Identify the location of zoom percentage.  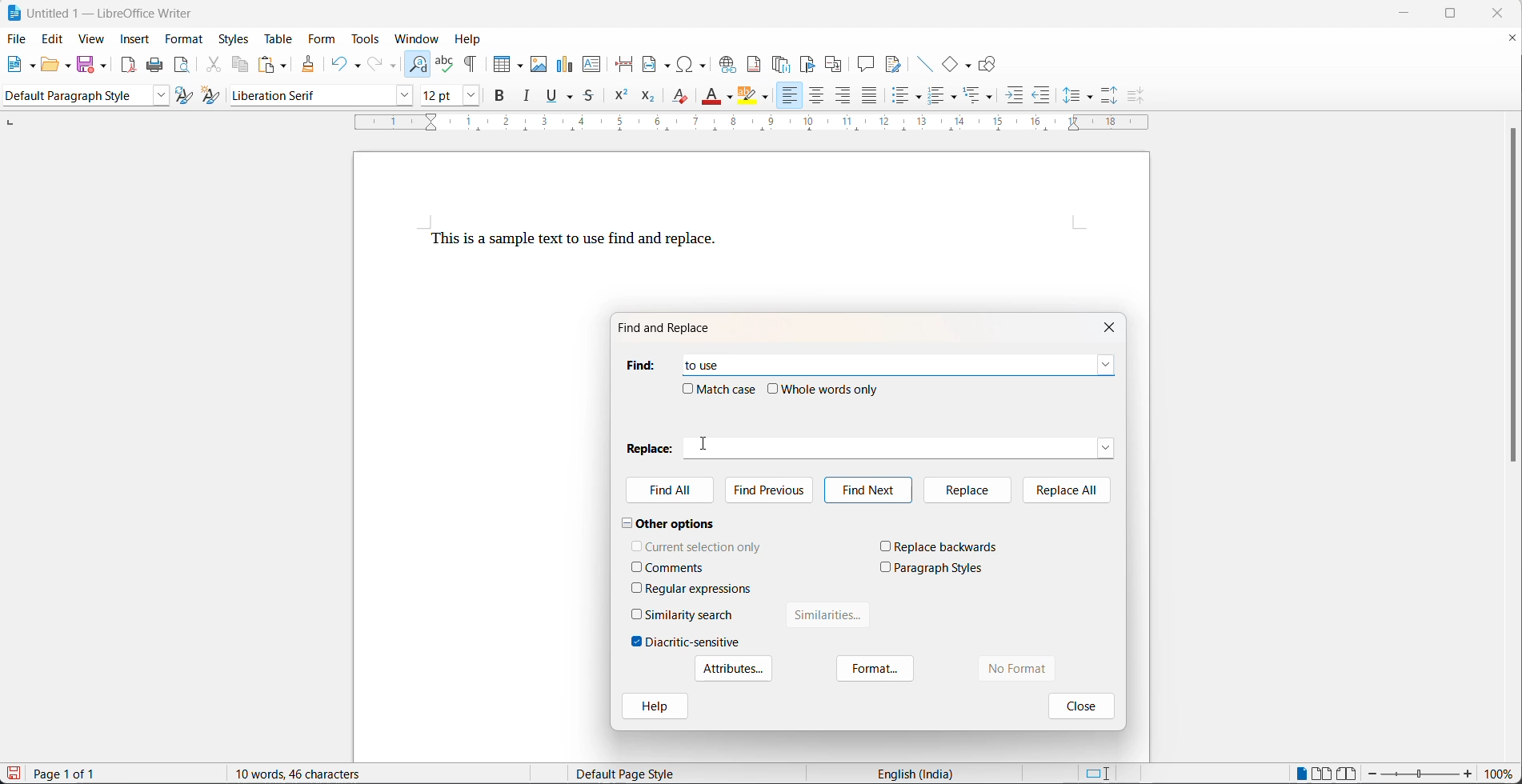
(1502, 774).